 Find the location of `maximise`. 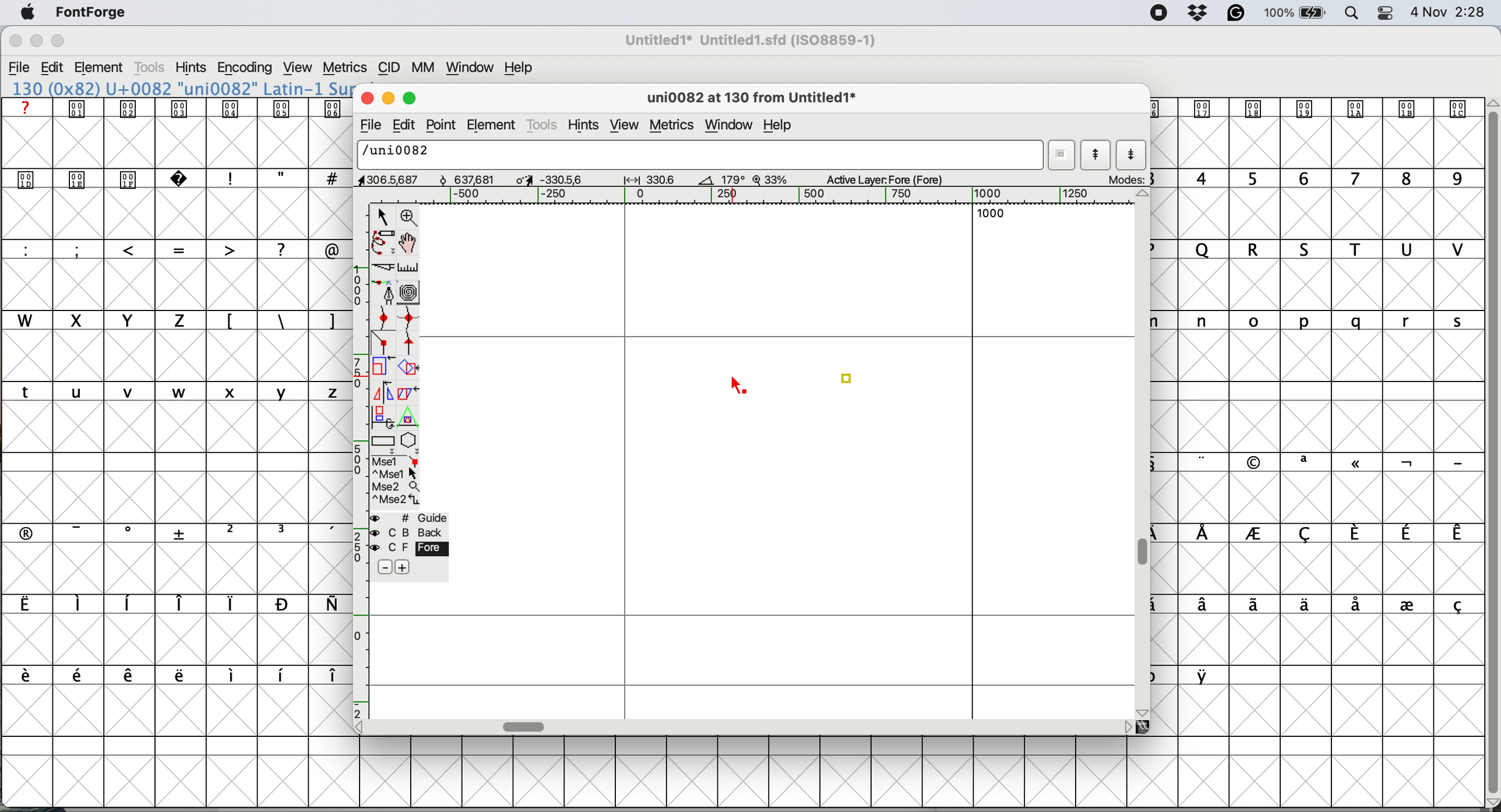

maximise is located at coordinates (412, 96).